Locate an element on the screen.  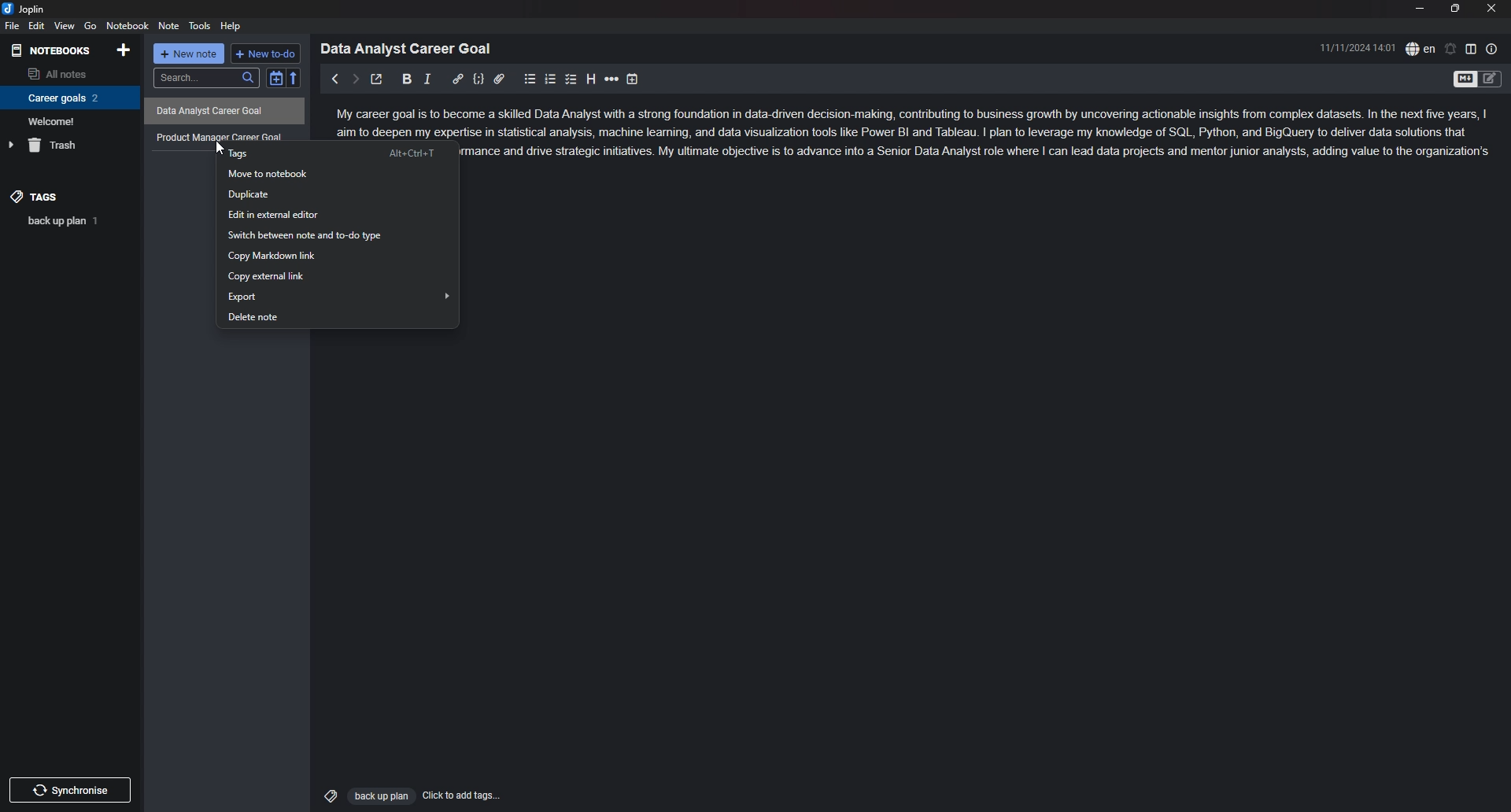
minimize is located at coordinates (1419, 8).